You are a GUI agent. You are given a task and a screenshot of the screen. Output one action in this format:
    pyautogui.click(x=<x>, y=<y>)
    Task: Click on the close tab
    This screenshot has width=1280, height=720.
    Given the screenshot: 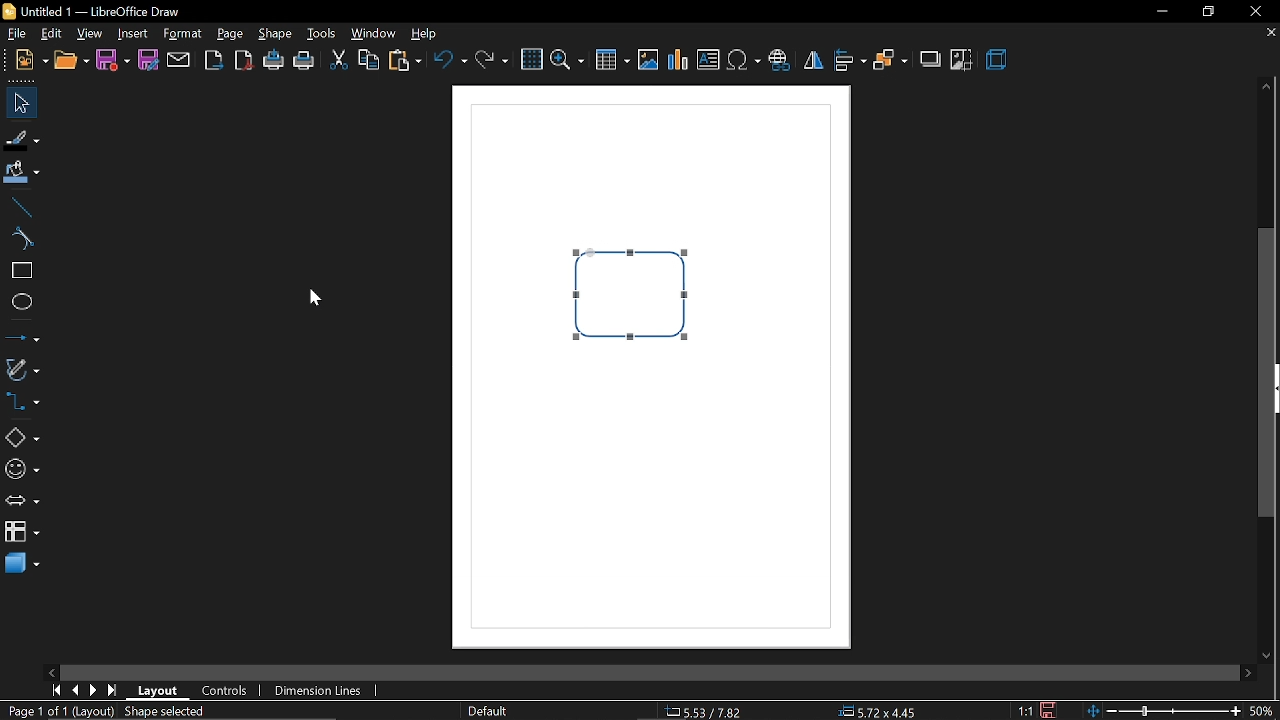 What is the action you would take?
    pyautogui.click(x=1270, y=34)
    